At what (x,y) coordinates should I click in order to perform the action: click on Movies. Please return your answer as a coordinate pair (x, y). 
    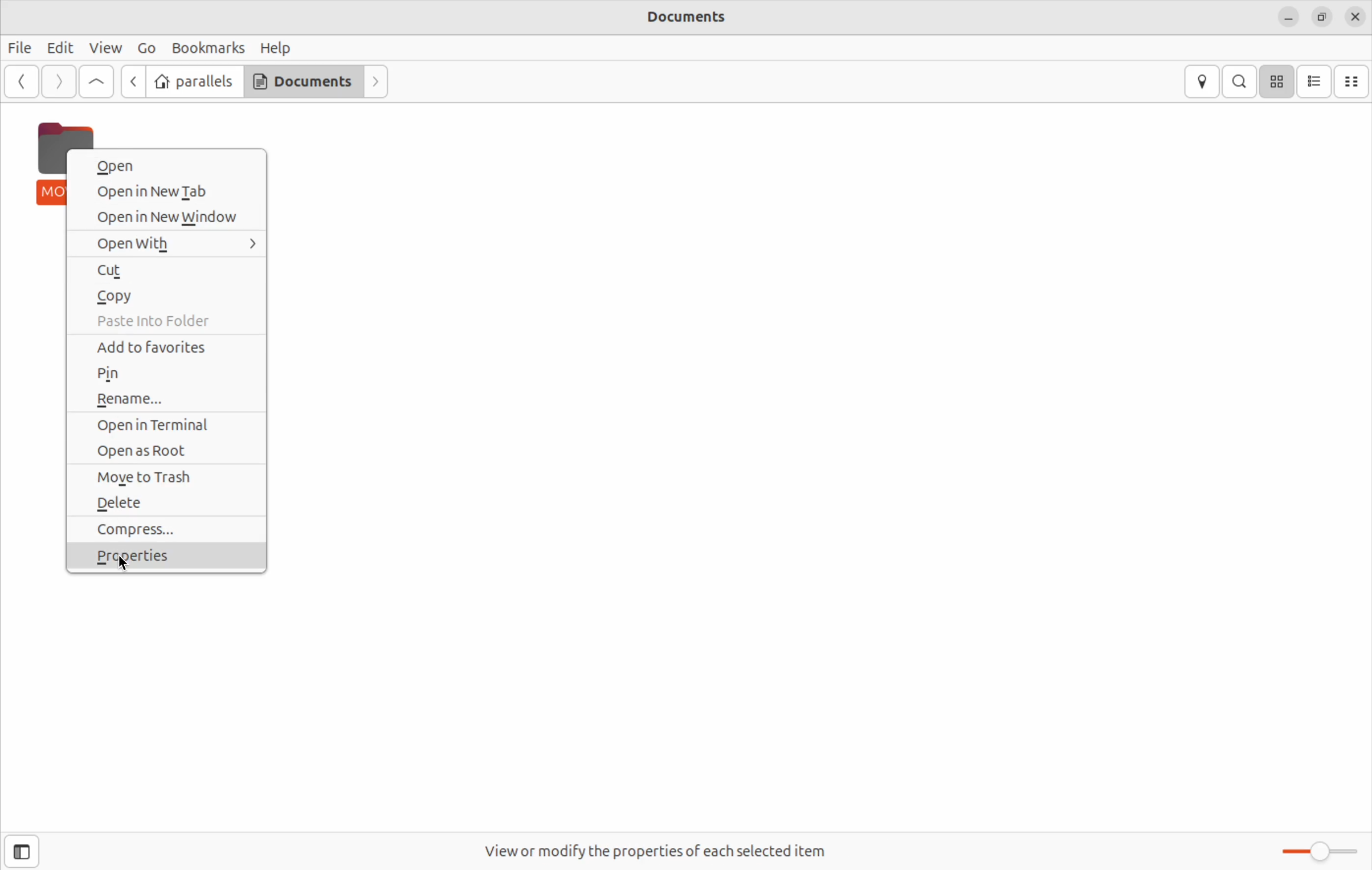
    Looking at the image, I should click on (51, 161).